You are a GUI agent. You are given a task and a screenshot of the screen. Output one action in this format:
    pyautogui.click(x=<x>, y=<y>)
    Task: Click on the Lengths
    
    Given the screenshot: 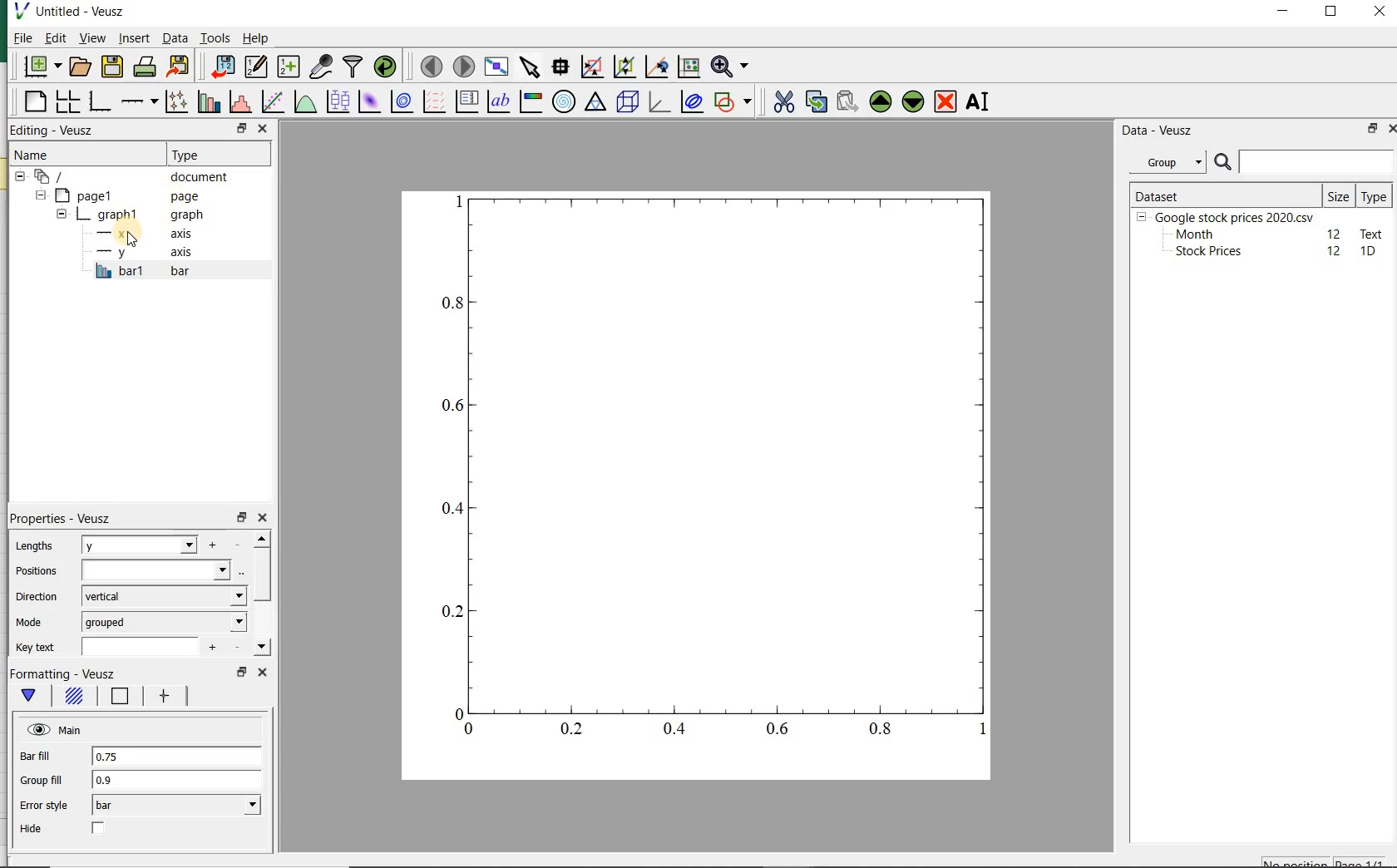 What is the action you would take?
    pyautogui.click(x=38, y=547)
    